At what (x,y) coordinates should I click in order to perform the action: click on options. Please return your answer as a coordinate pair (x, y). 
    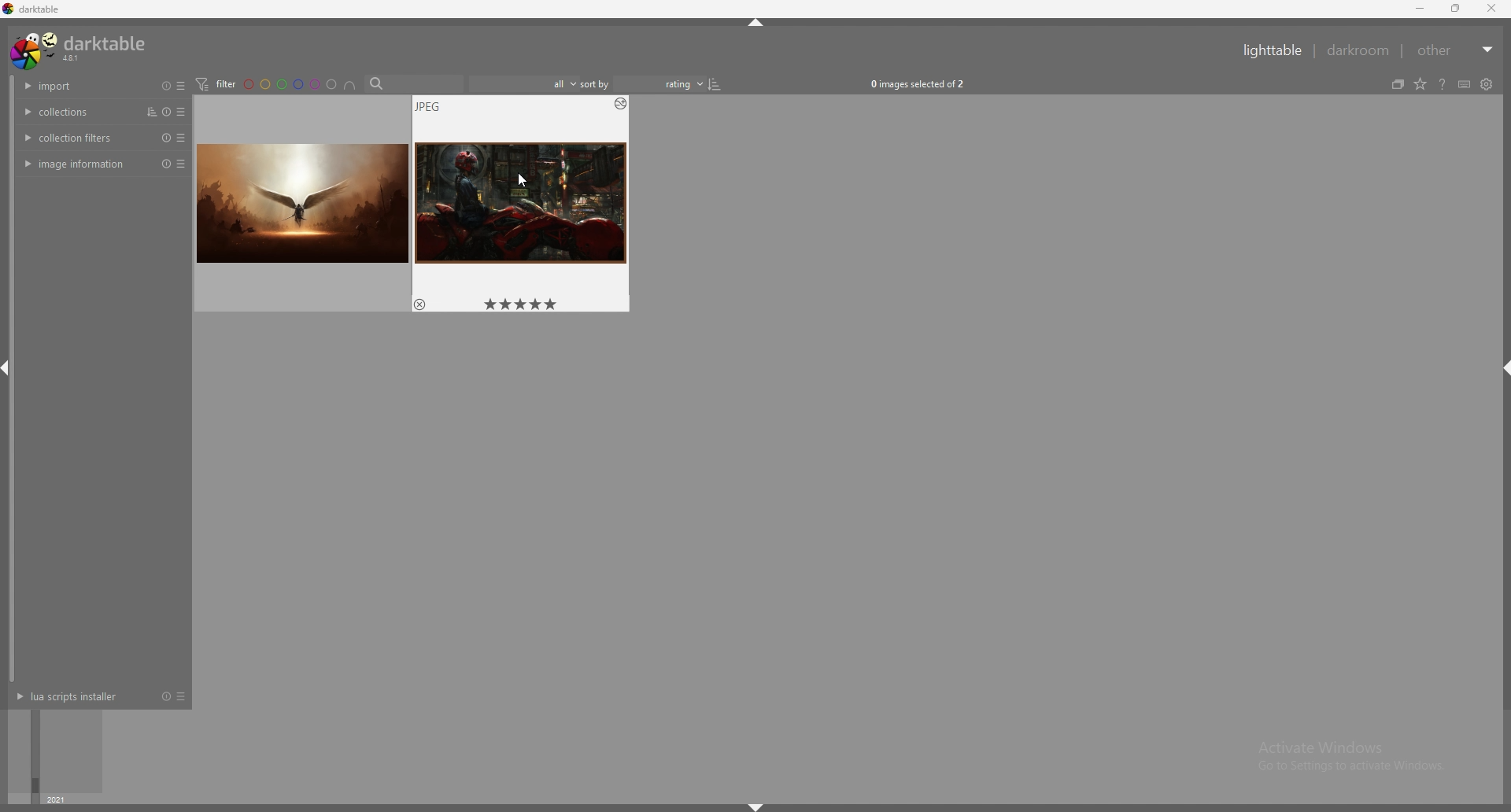
    Looking at the image, I should click on (619, 104).